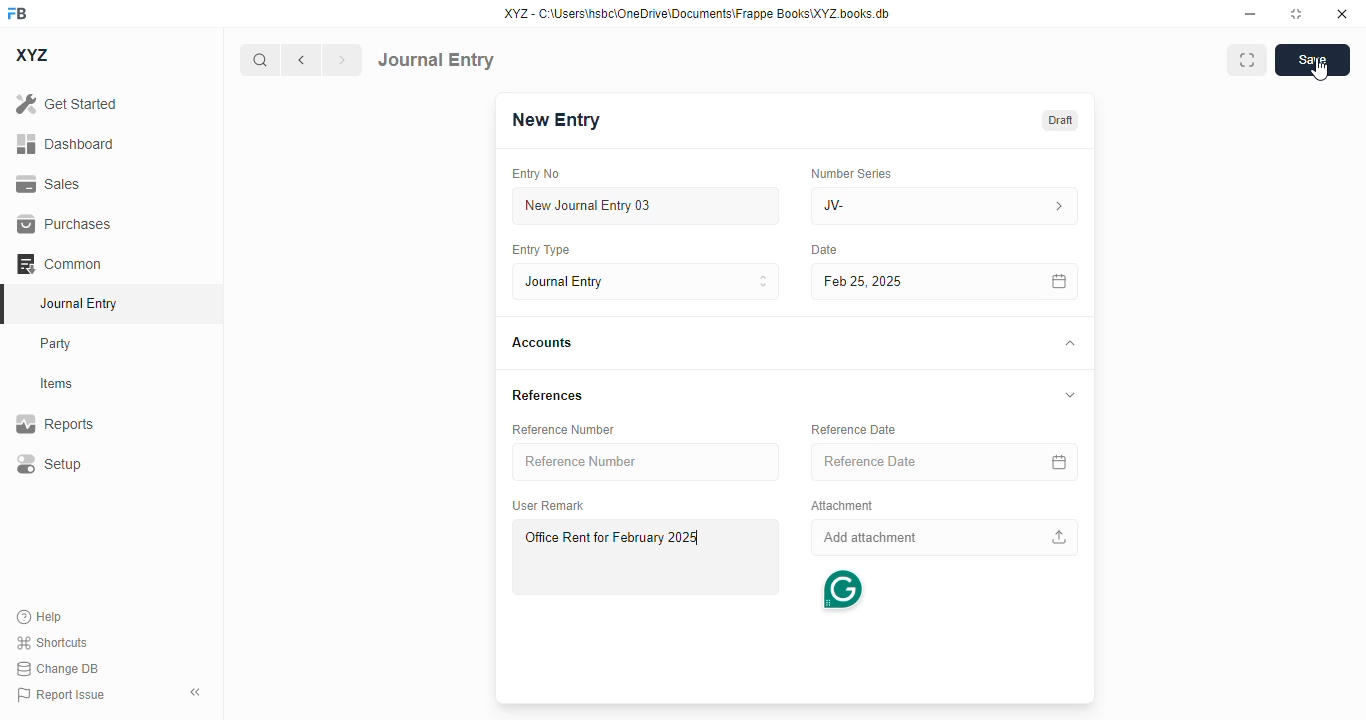 Image resolution: width=1366 pixels, height=720 pixels. I want to click on entry type, so click(539, 249).